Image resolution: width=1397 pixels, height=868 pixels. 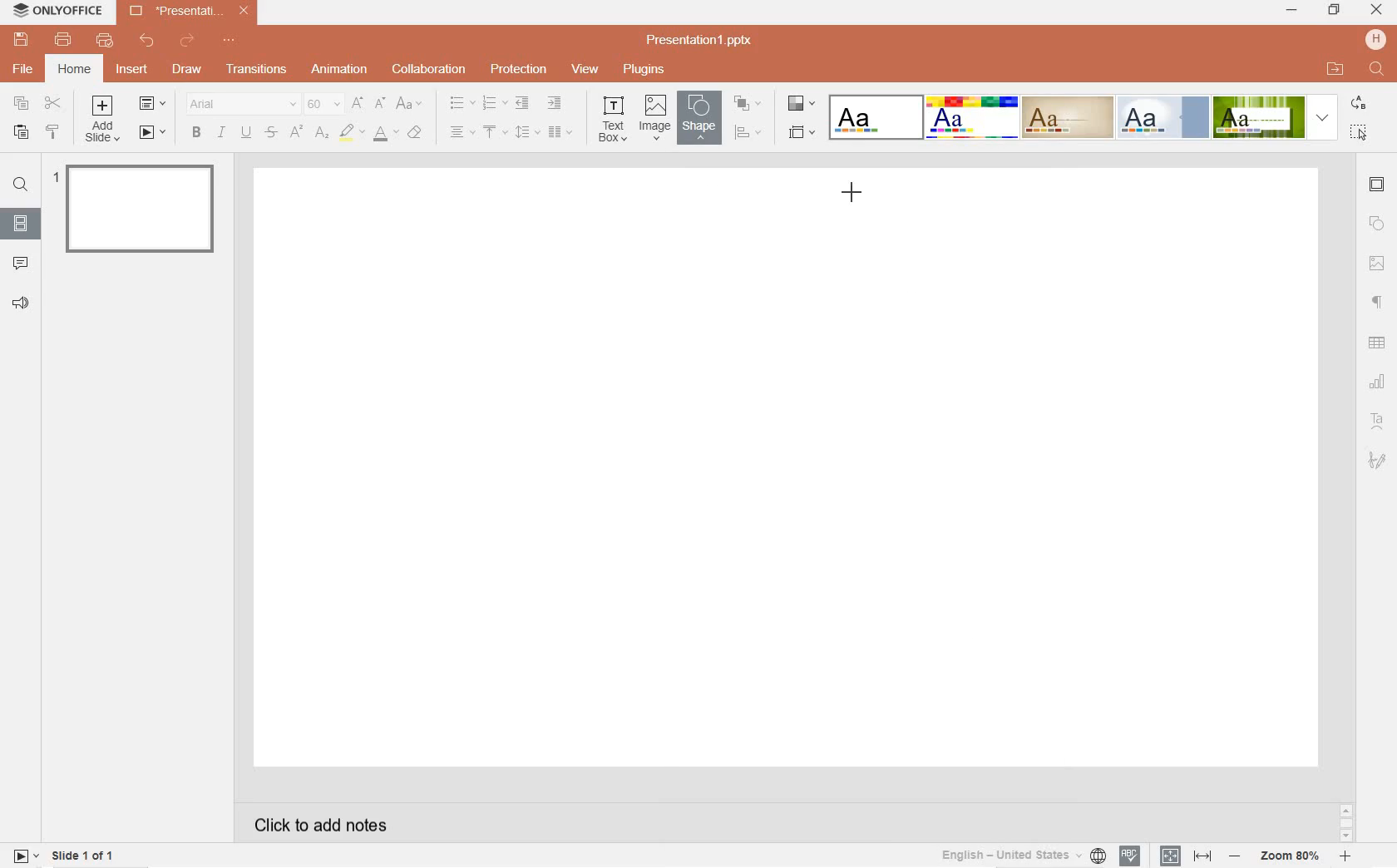 What do you see at coordinates (104, 42) in the screenshot?
I see `quick print` at bounding box center [104, 42].